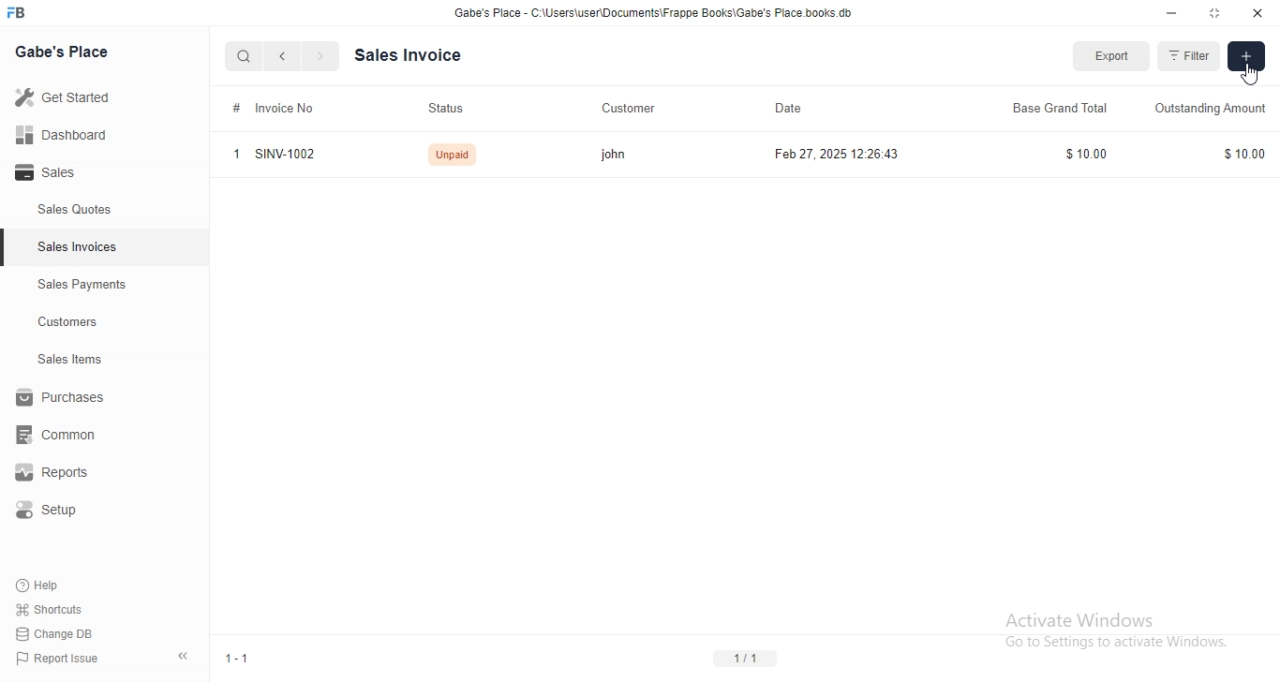  I want to click on Change DB, so click(58, 635).